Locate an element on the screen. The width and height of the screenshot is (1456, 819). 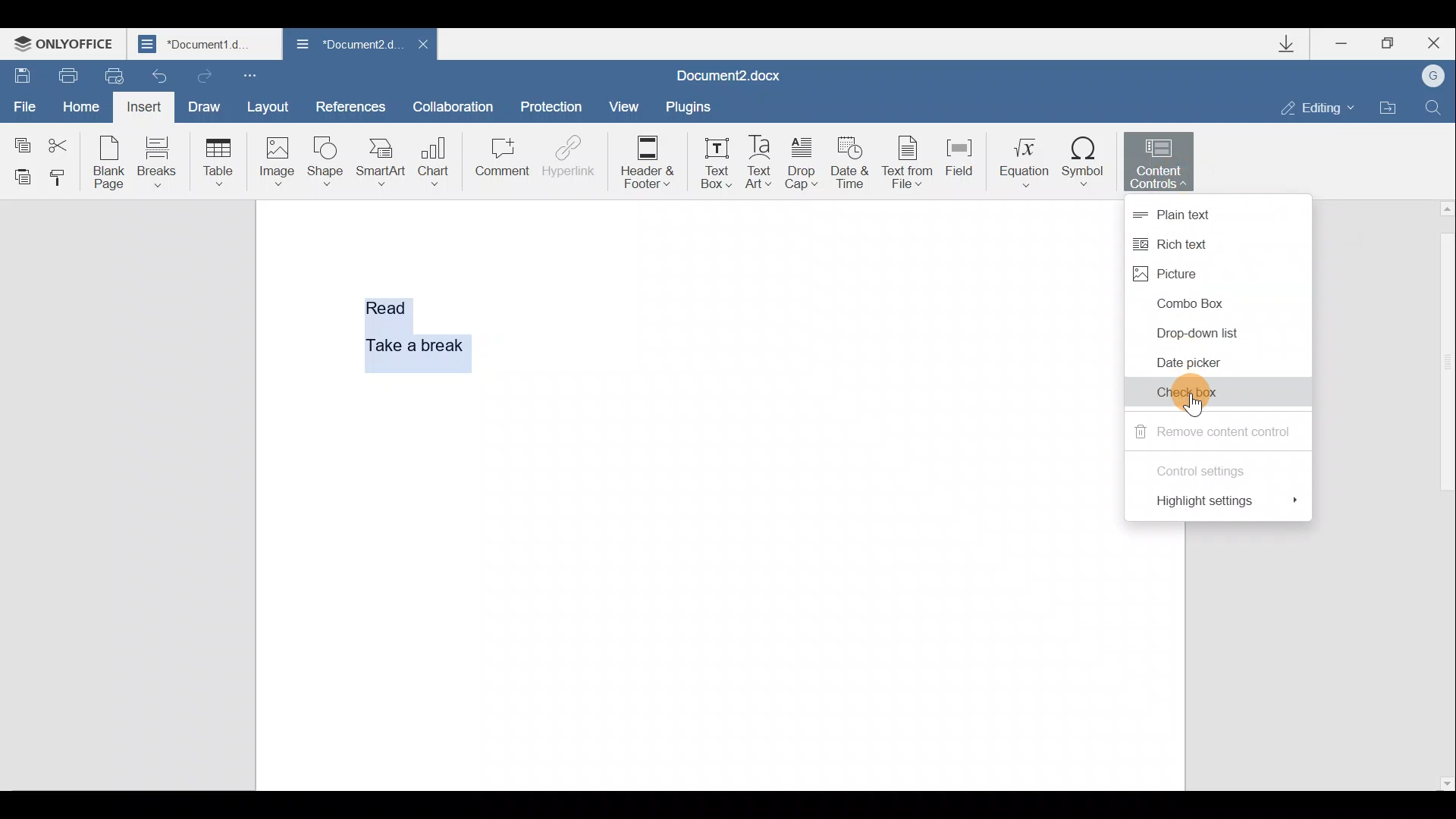
Symbol is located at coordinates (1087, 162).